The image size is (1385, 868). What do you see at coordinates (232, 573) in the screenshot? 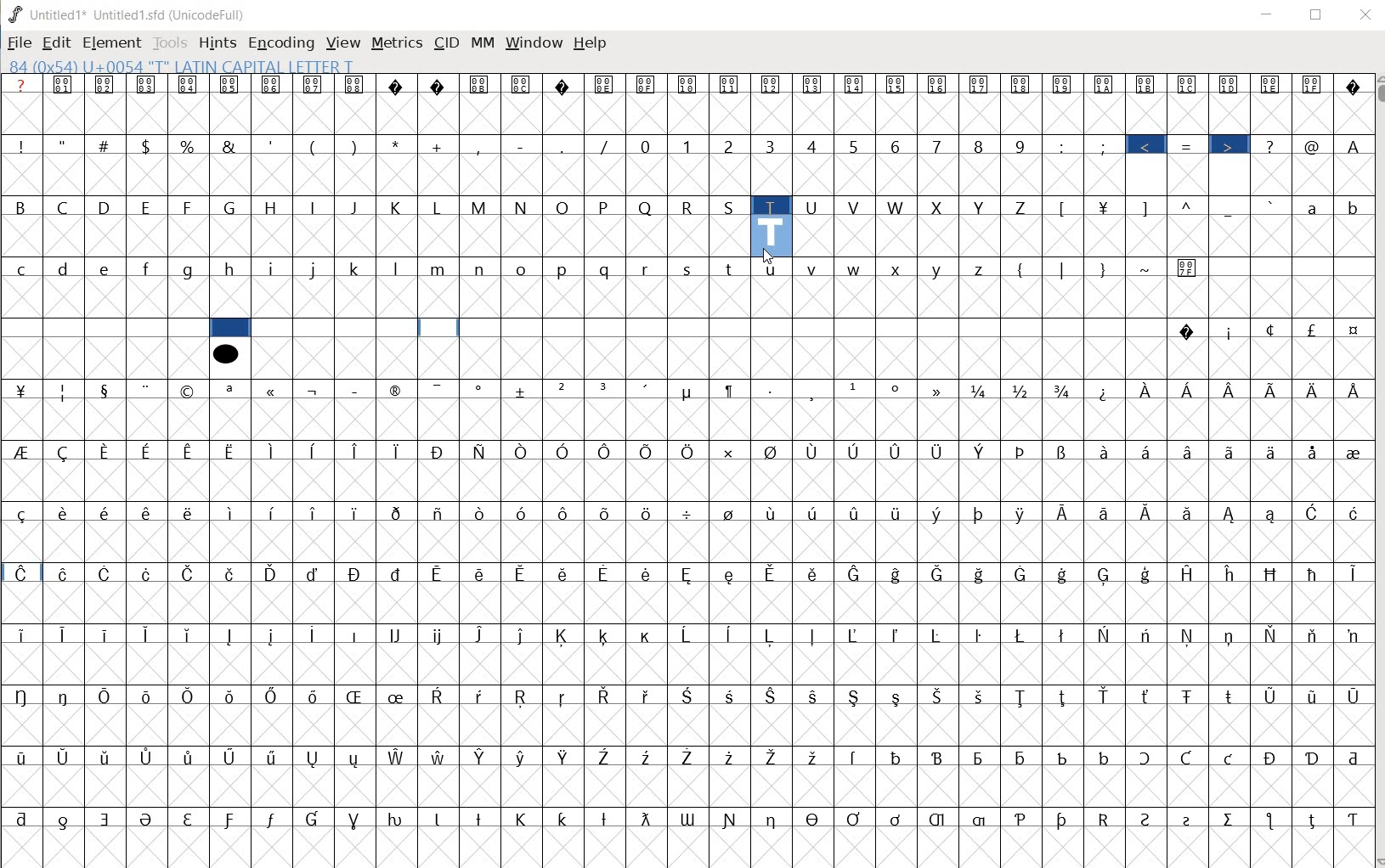
I see `Symbol` at bounding box center [232, 573].